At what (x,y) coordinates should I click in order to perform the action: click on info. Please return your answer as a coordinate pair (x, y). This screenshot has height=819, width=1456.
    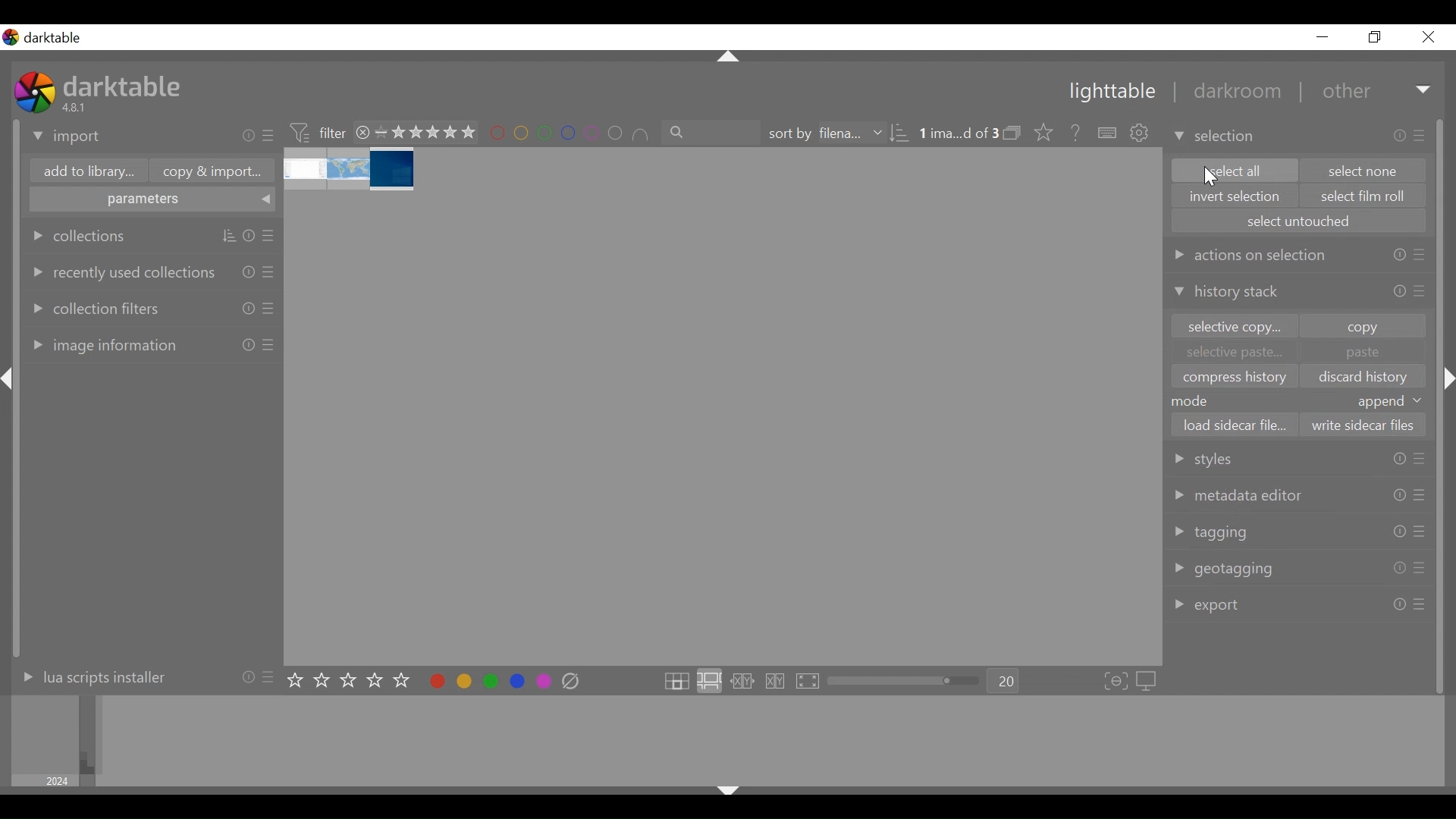
    Looking at the image, I should click on (1401, 290).